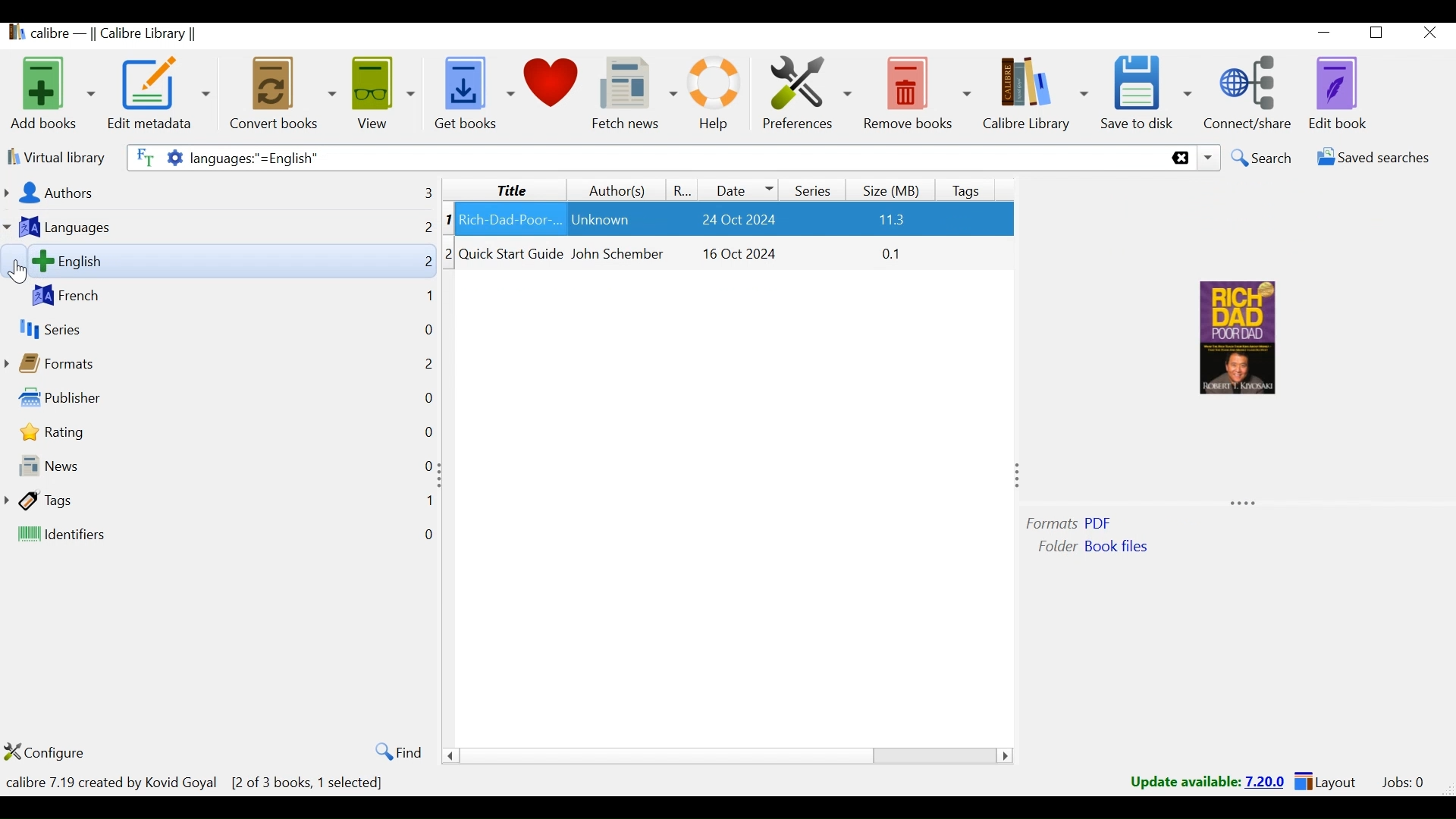 The width and height of the screenshot is (1456, 819). I want to click on update available, so click(1185, 782).